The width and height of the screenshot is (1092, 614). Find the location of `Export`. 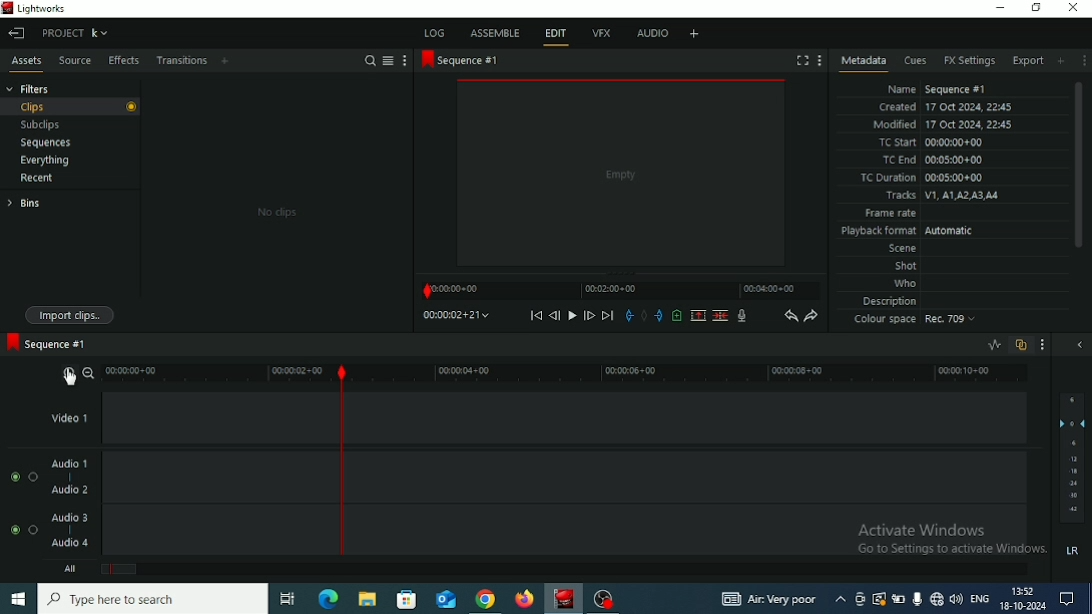

Export is located at coordinates (1028, 60).